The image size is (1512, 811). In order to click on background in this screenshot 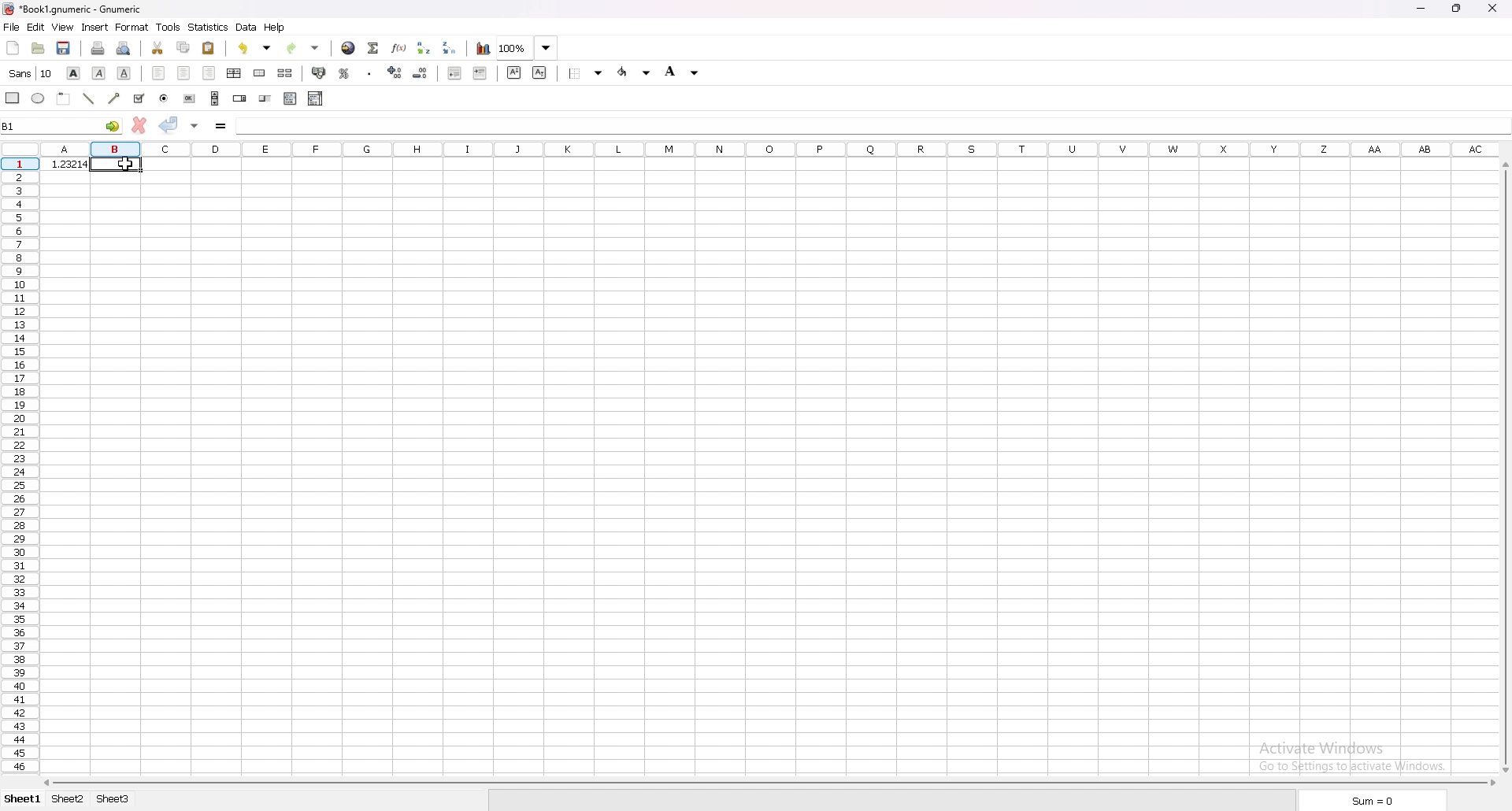, I will do `click(686, 72)`.